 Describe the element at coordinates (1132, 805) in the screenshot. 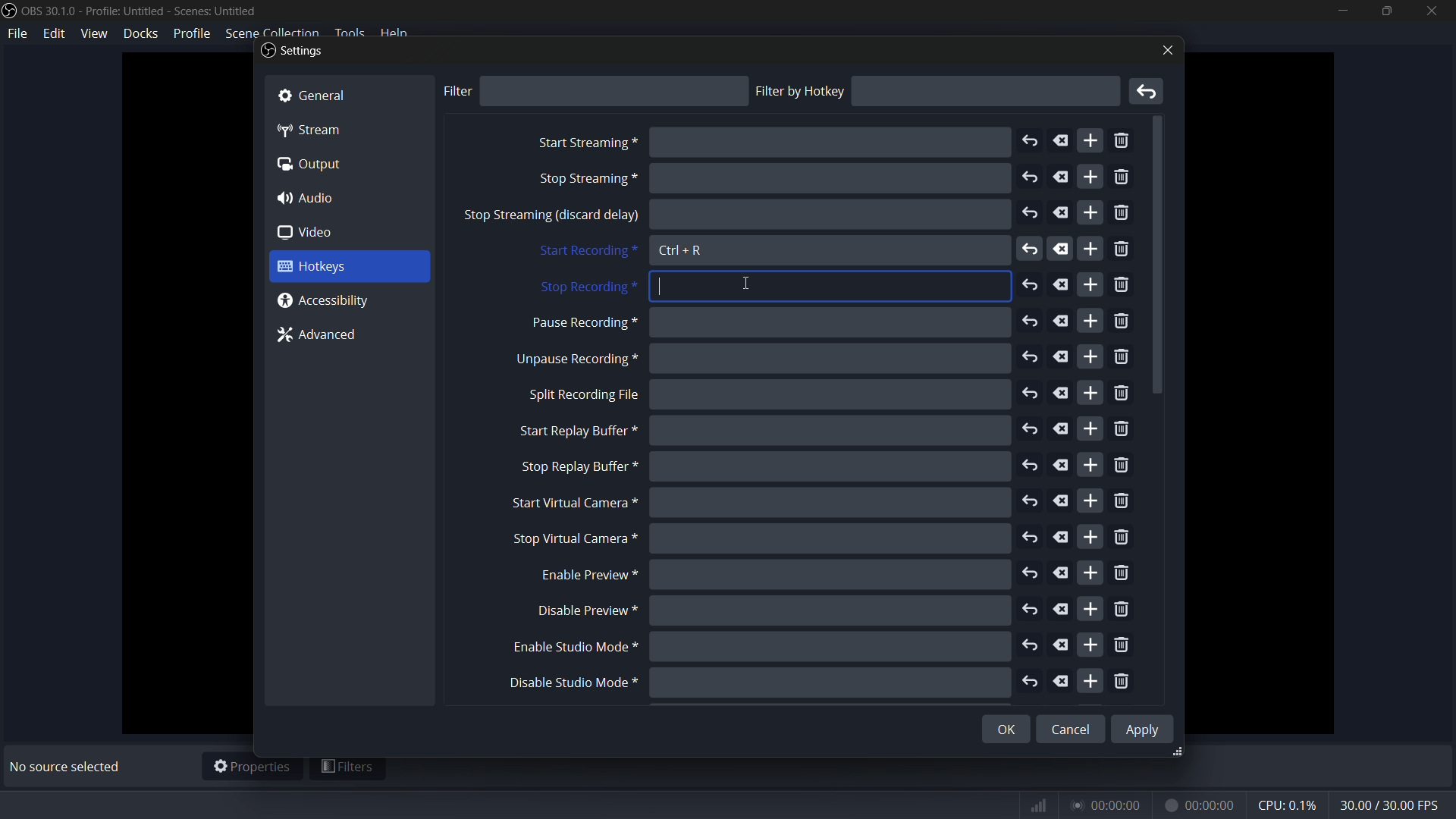

I see `timer` at that location.